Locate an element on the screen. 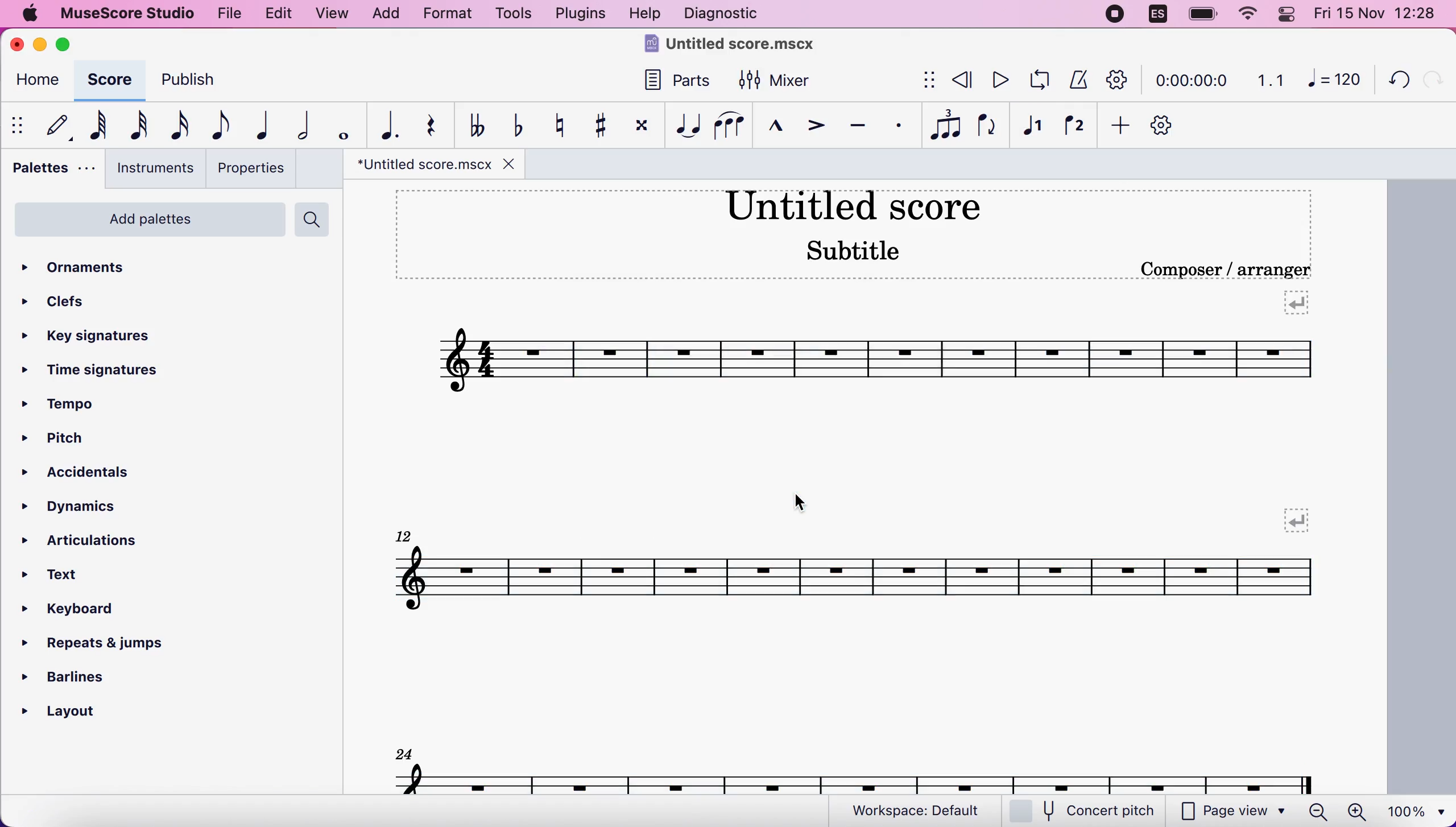 This screenshot has height=827, width=1456. publish is located at coordinates (198, 84).